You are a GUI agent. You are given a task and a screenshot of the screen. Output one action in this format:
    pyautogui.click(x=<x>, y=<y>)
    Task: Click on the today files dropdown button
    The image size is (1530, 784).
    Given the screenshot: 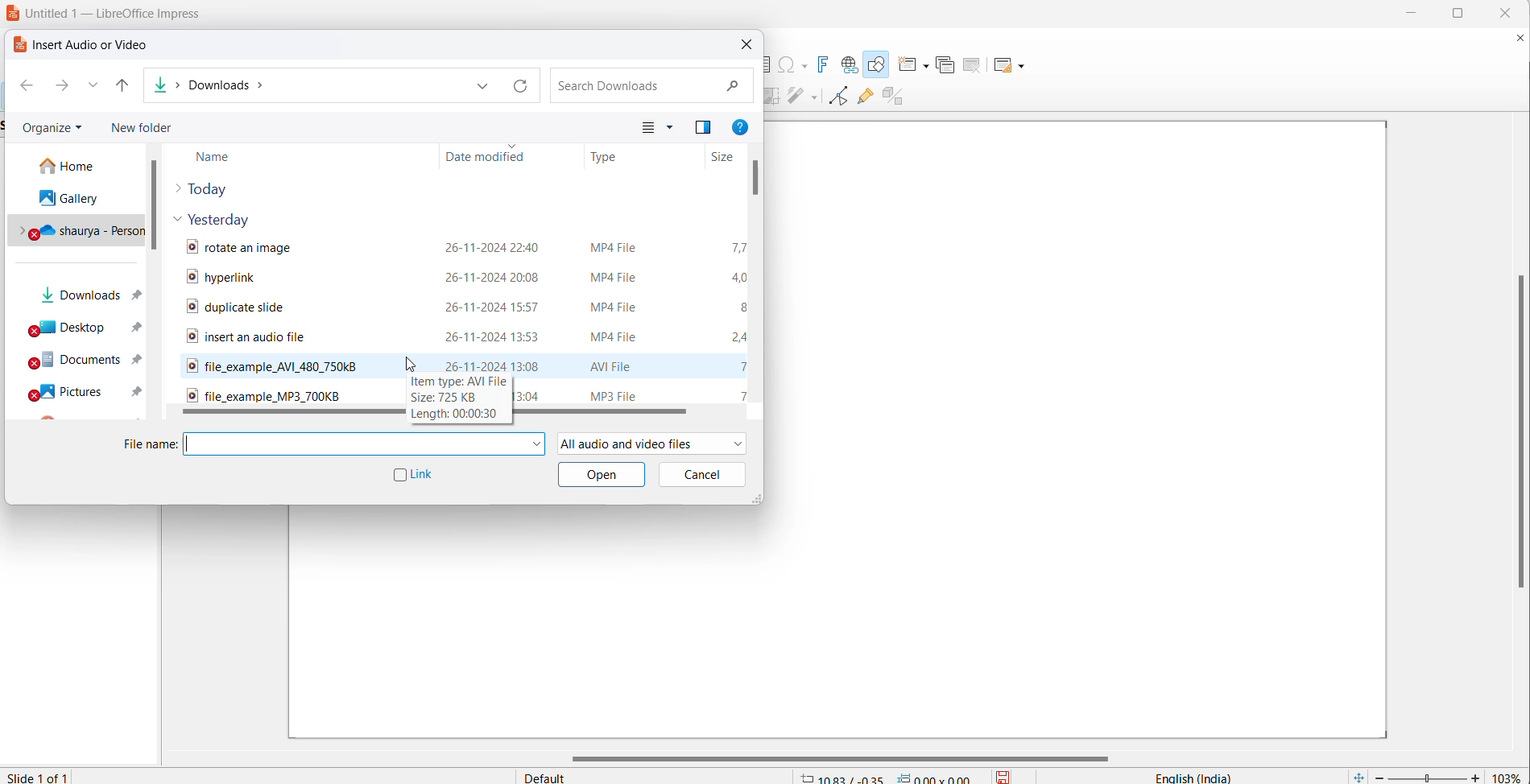 What is the action you would take?
    pyautogui.click(x=209, y=191)
    